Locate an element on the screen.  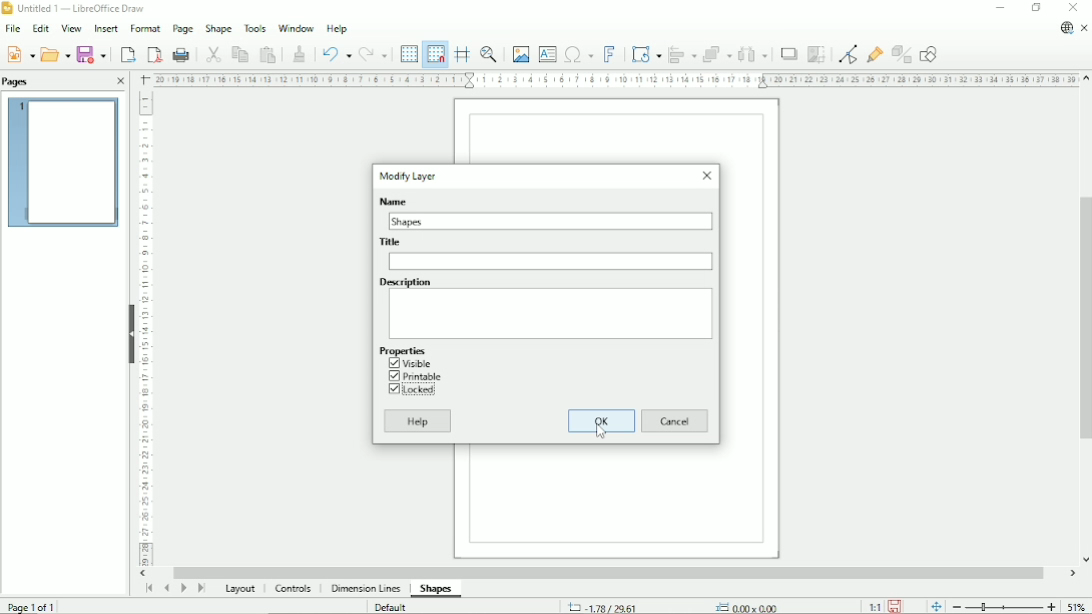
Modify layer is located at coordinates (409, 176).